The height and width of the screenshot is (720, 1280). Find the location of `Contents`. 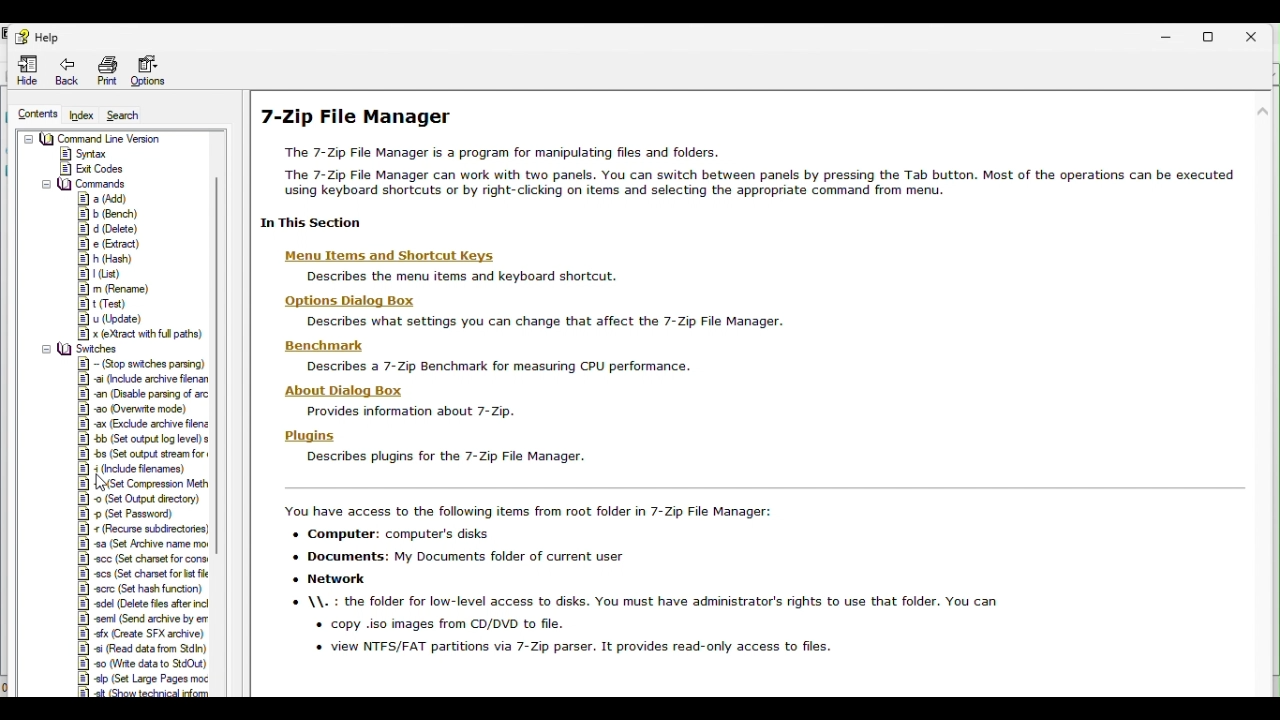

Contents is located at coordinates (34, 114).